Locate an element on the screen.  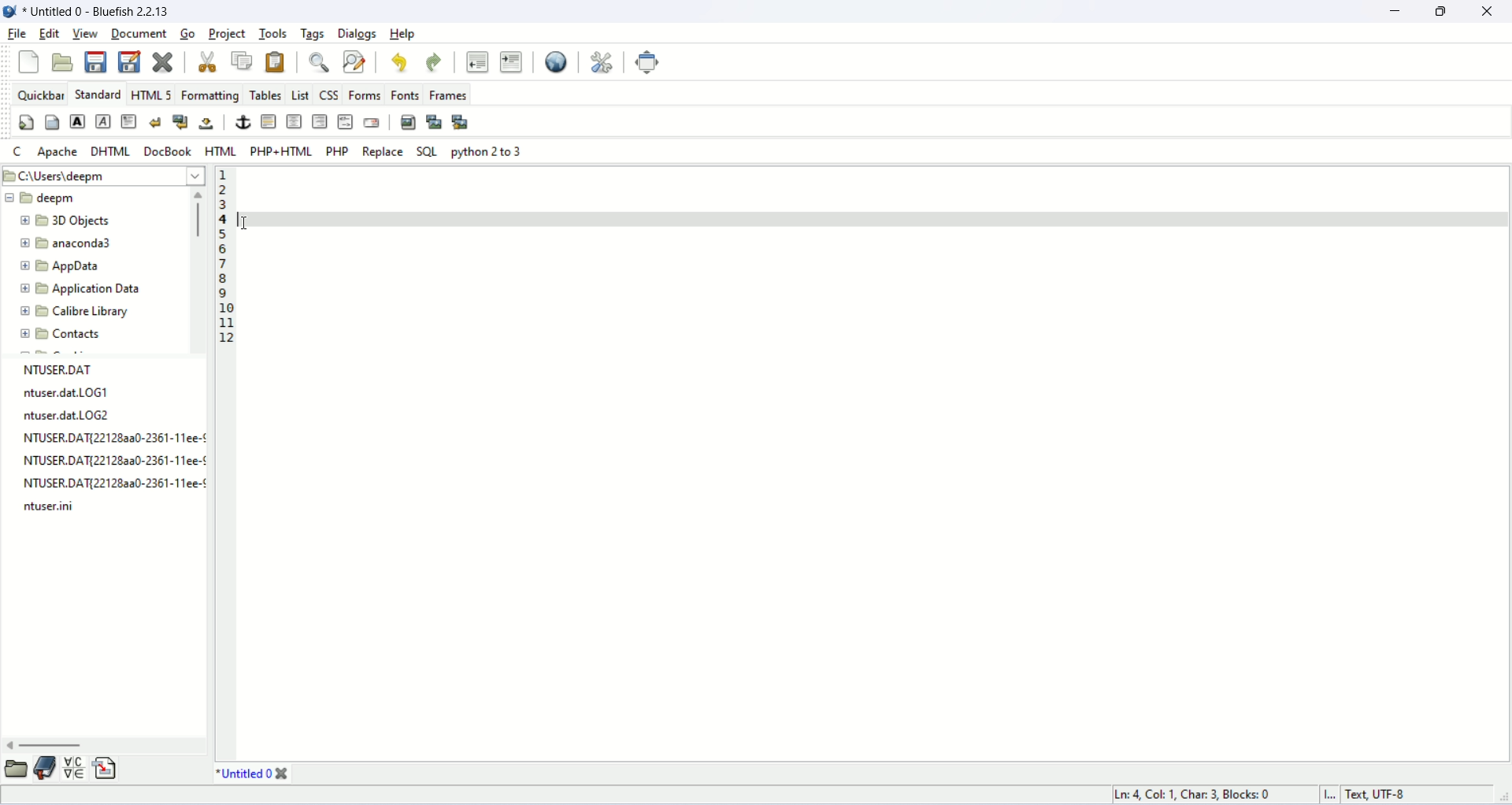
html comment is located at coordinates (346, 120).